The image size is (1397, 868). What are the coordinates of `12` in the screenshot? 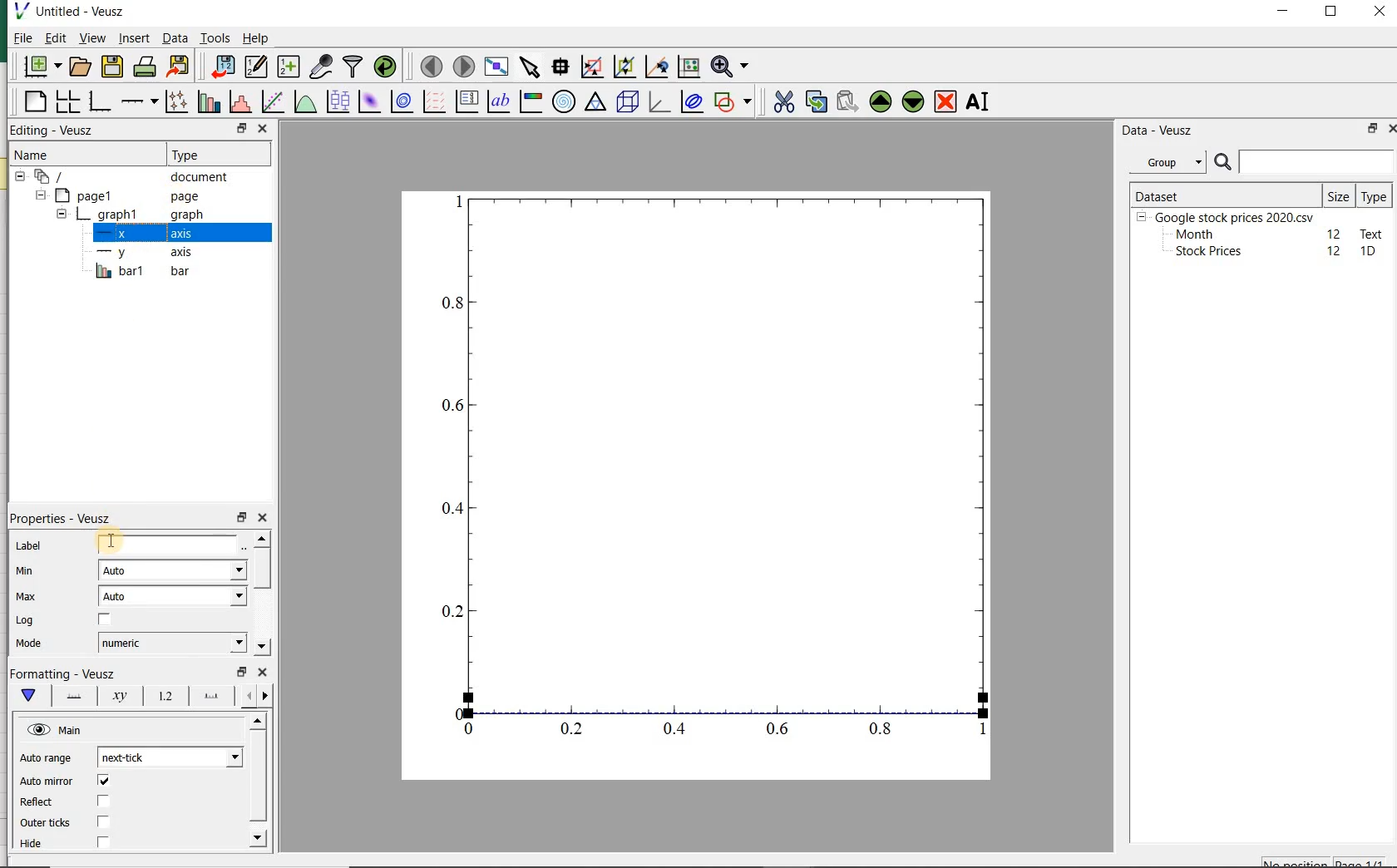 It's located at (1335, 233).